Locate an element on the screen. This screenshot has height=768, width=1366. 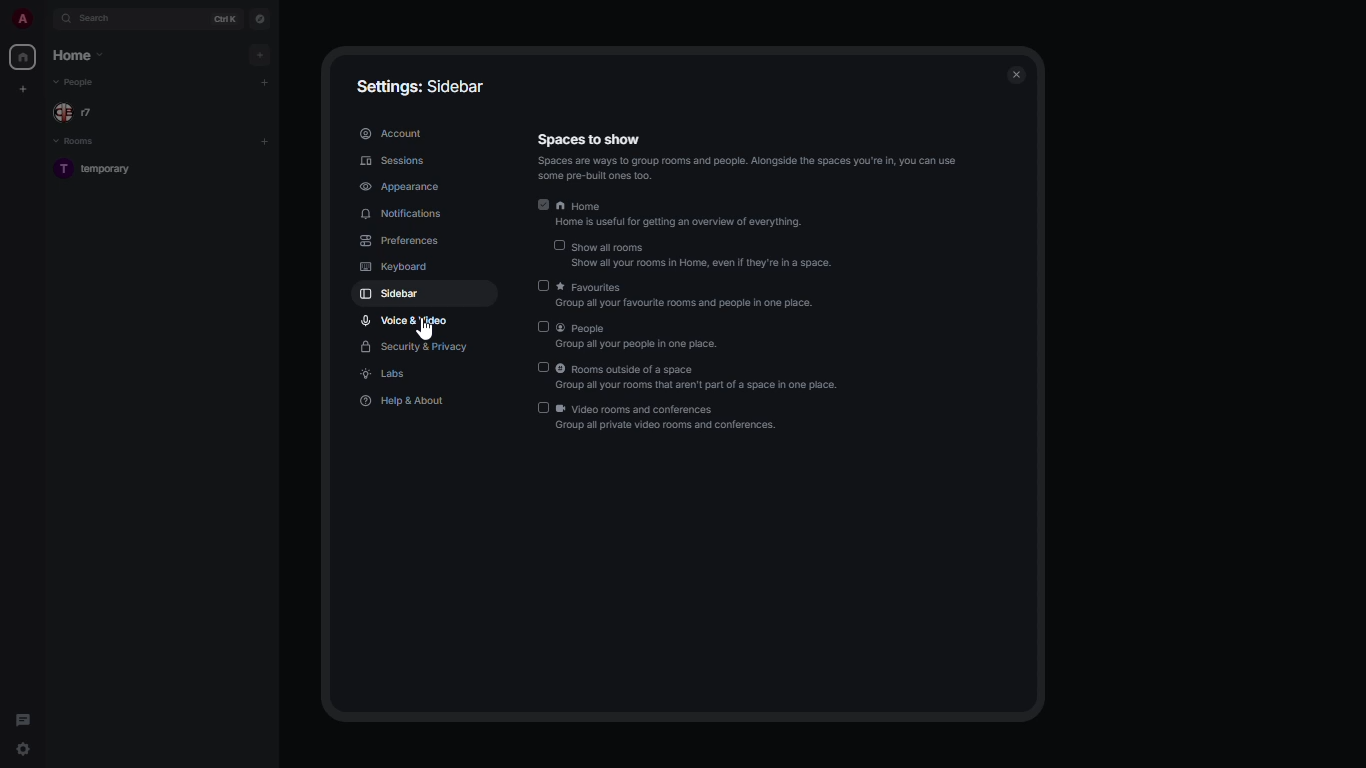
security & privacy is located at coordinates (416, 348).